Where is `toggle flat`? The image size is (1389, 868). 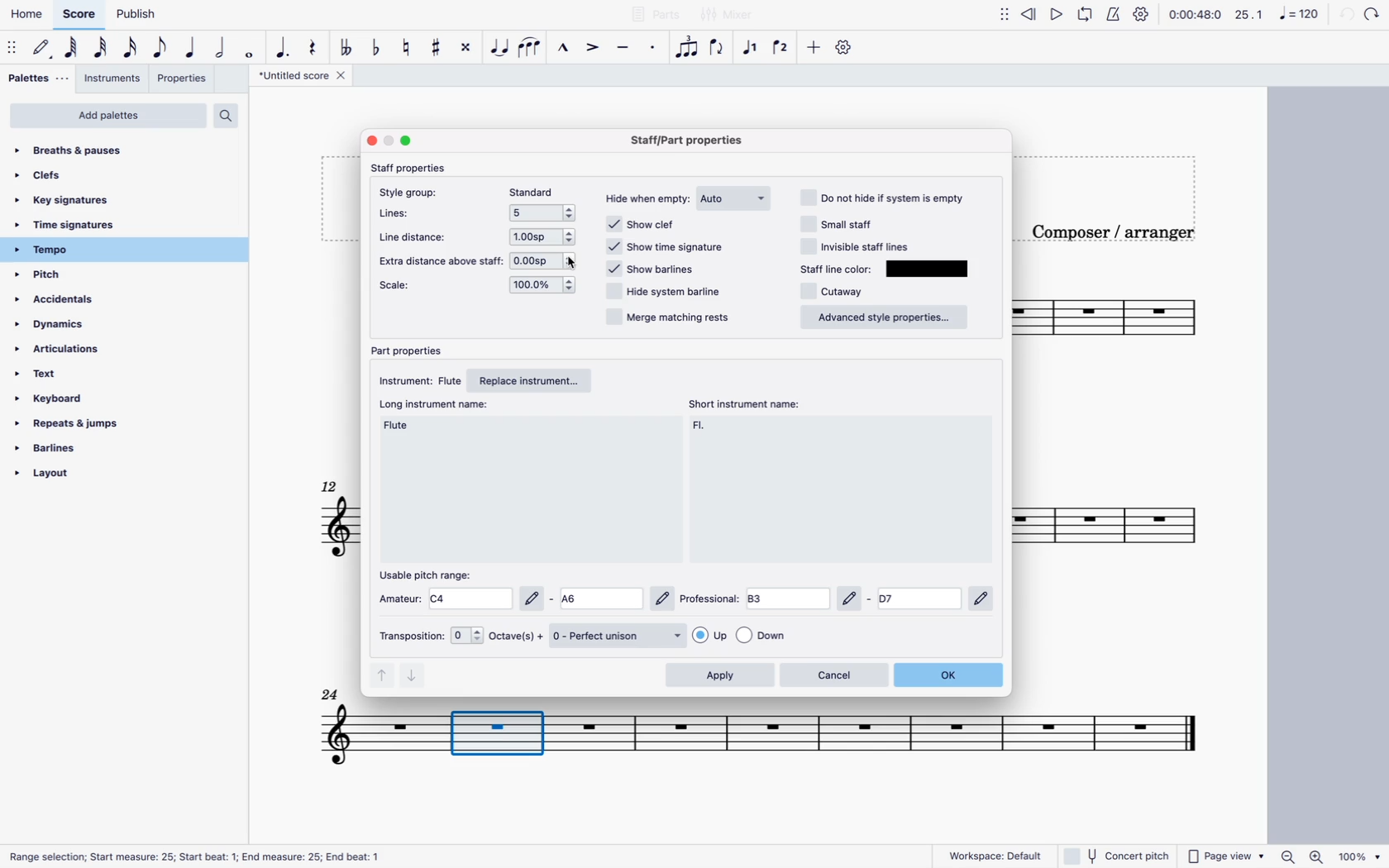 toggle flat is located at coordinates (375, 48).